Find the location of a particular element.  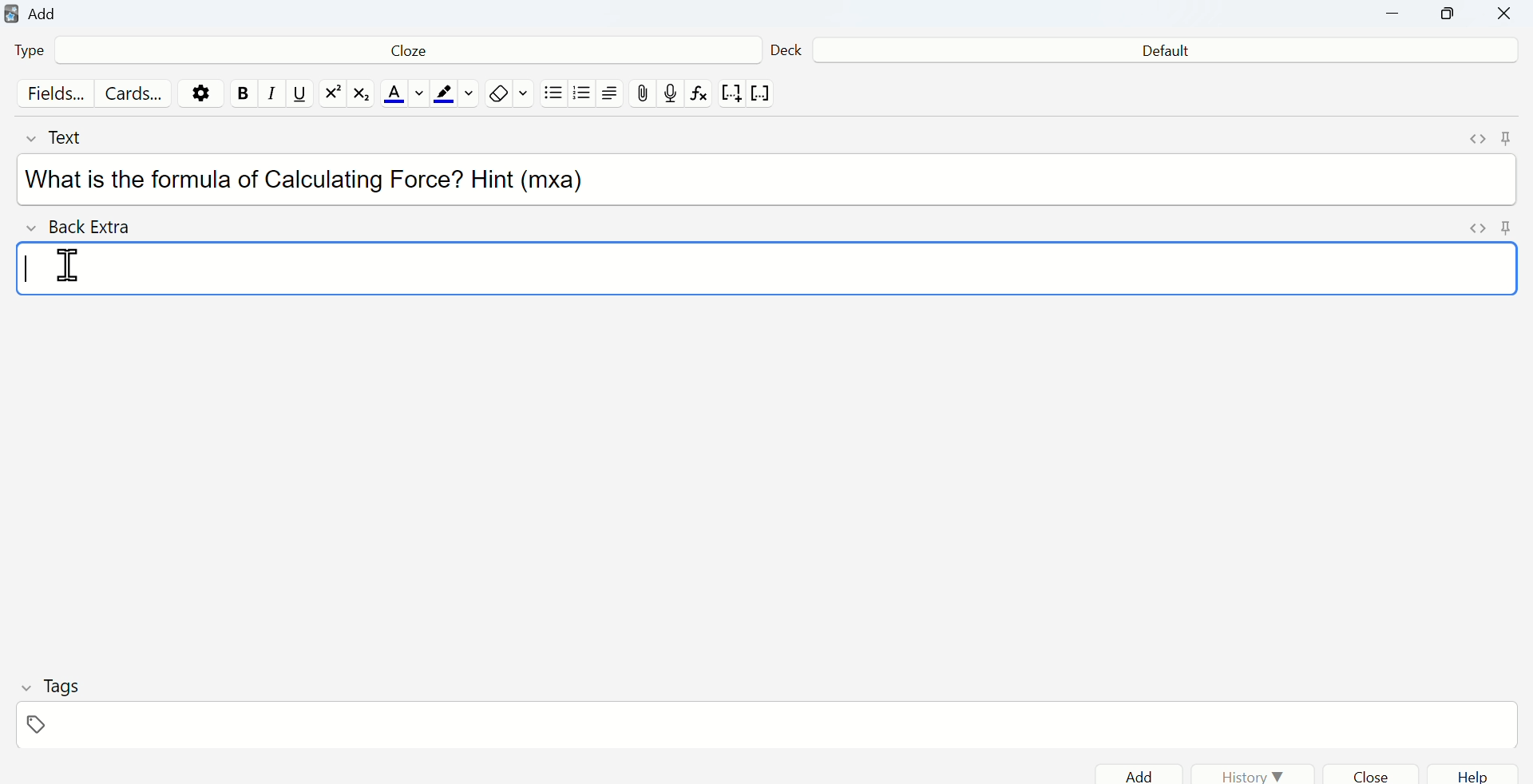

Tags is located at coordinates (48, 685).